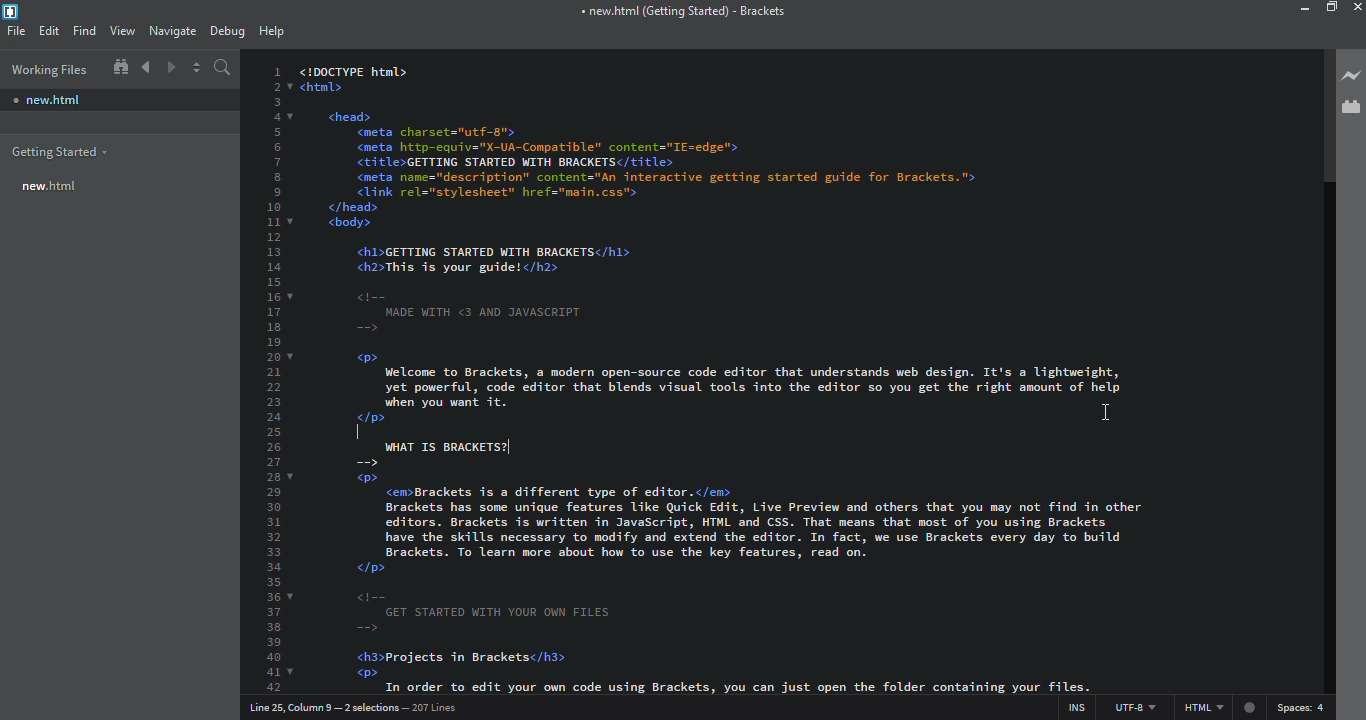 The image size is (1366, 720). I want to click on ins, so click(1072, 705).